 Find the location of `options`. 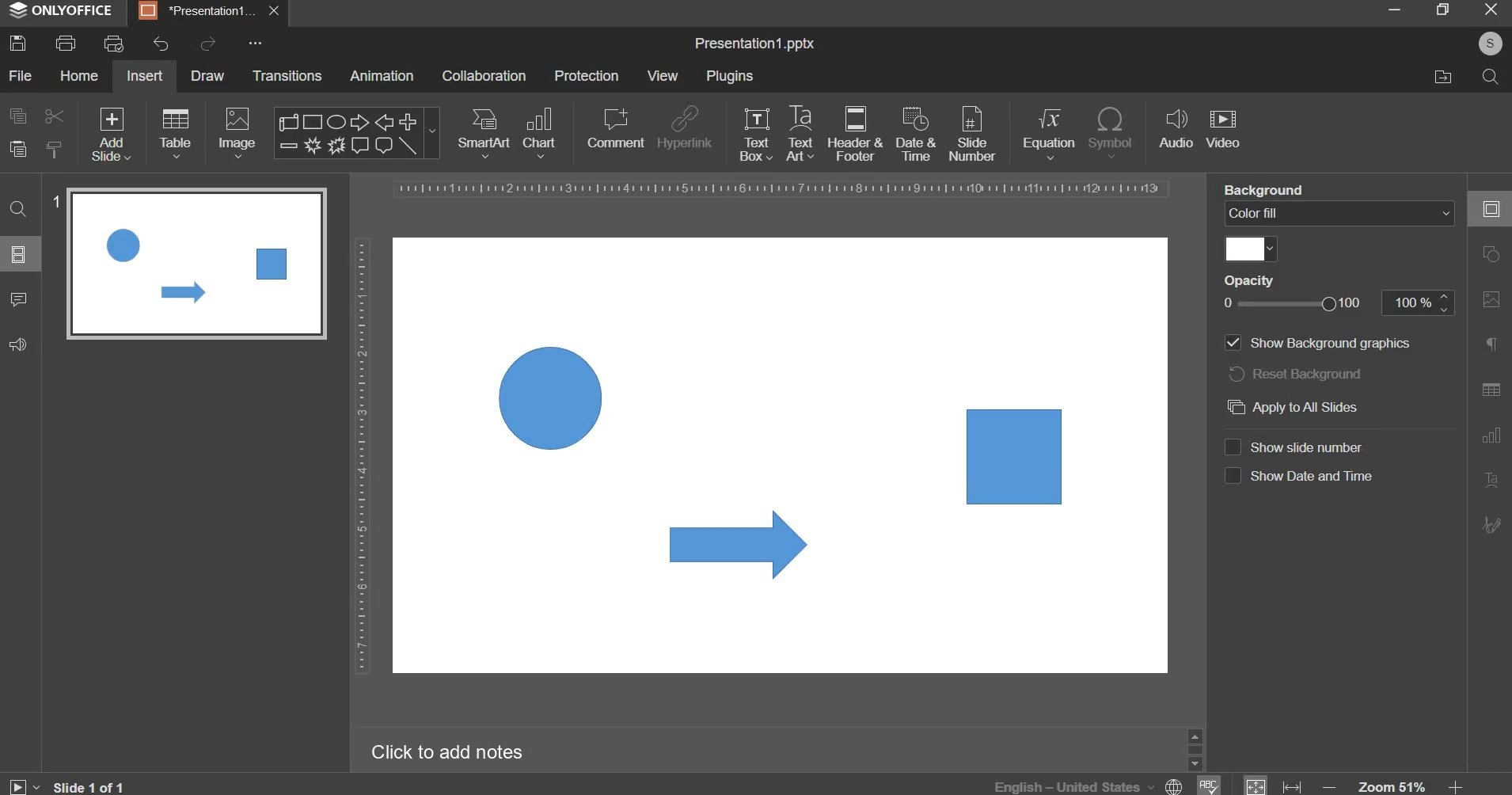

options is located at coordinates (249, 44).